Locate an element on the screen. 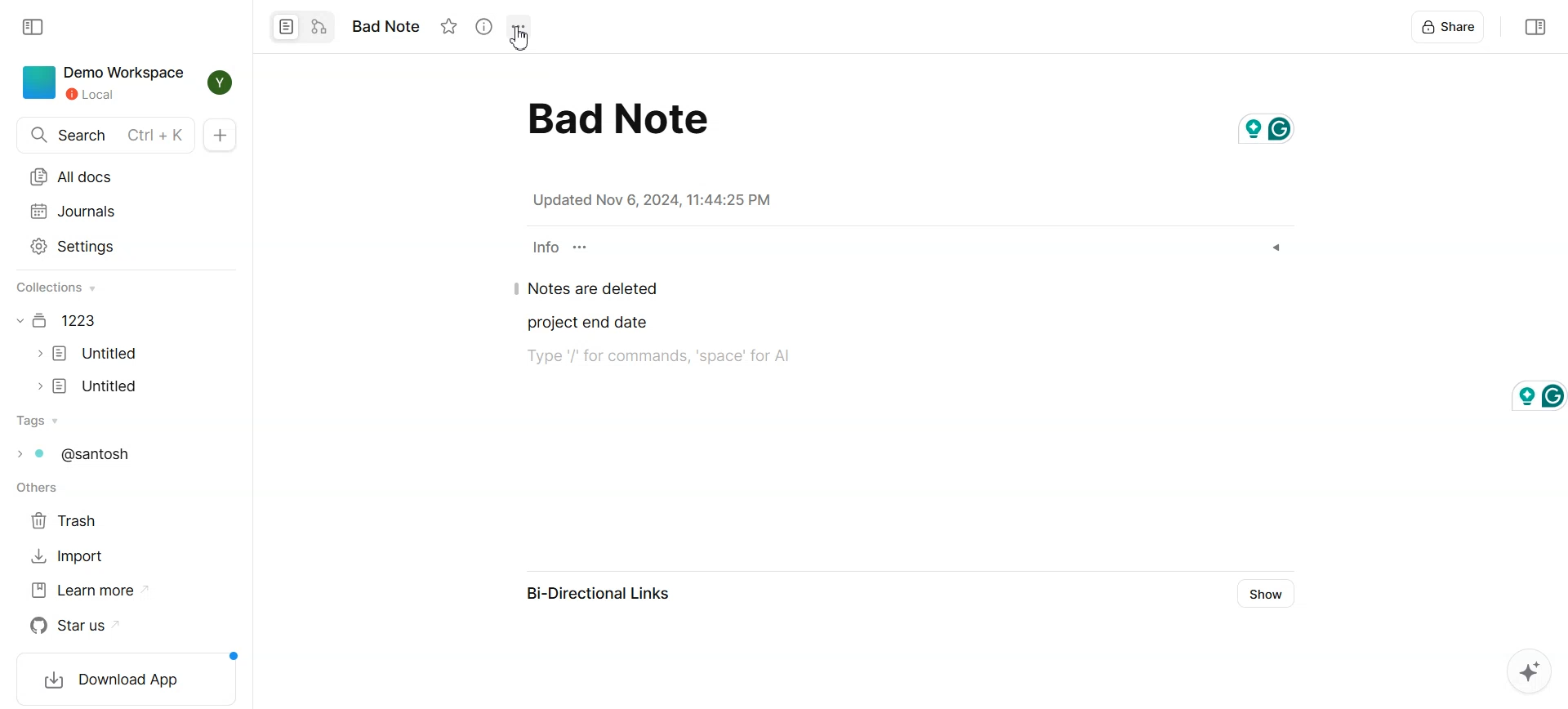 This screenshot has height=709, width=1568. Customize properties is located at coordinates (581, 247).